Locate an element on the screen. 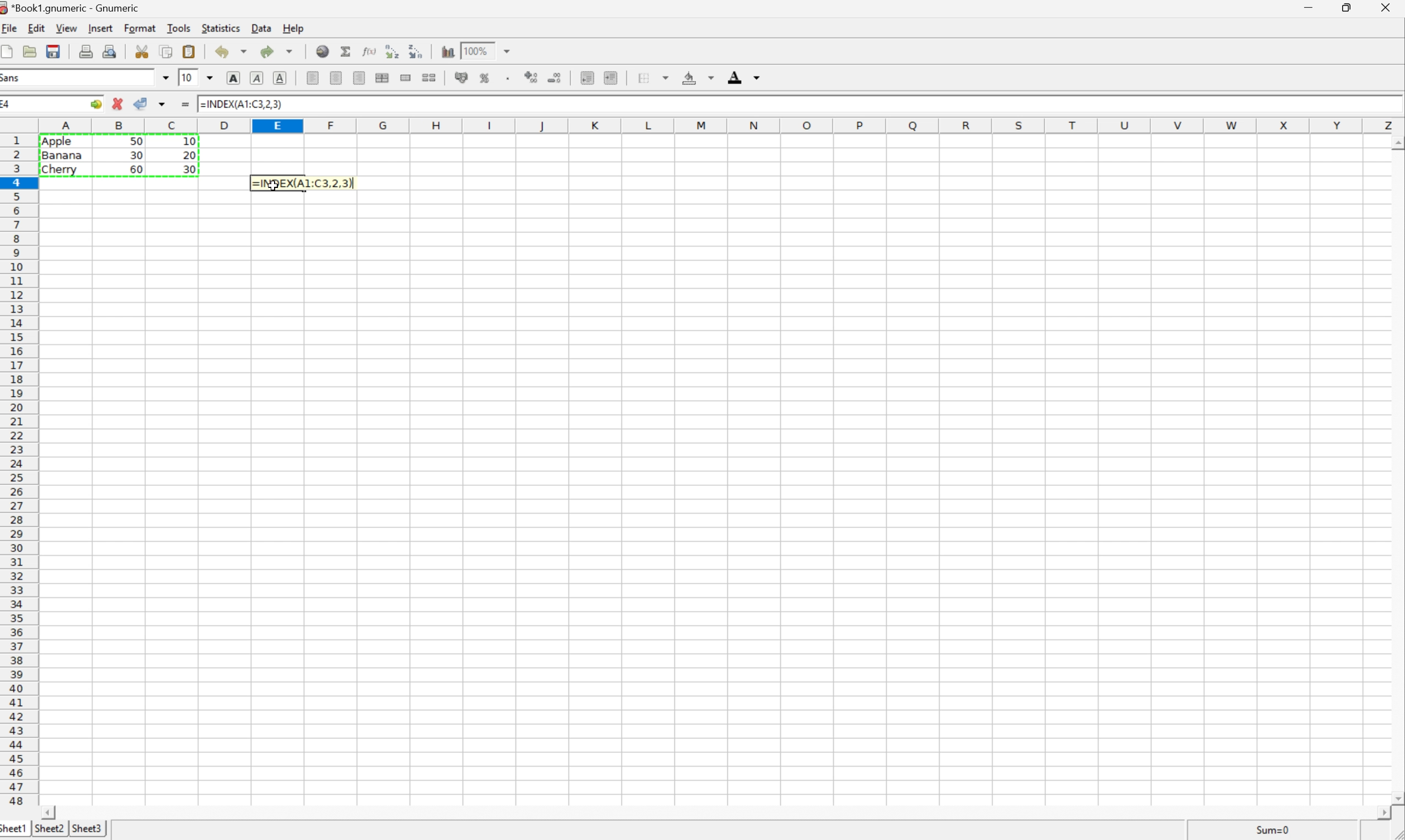 The width and height of the screenshot is (1405, 840). edit function in current cell is located at coordinates (370, 50).